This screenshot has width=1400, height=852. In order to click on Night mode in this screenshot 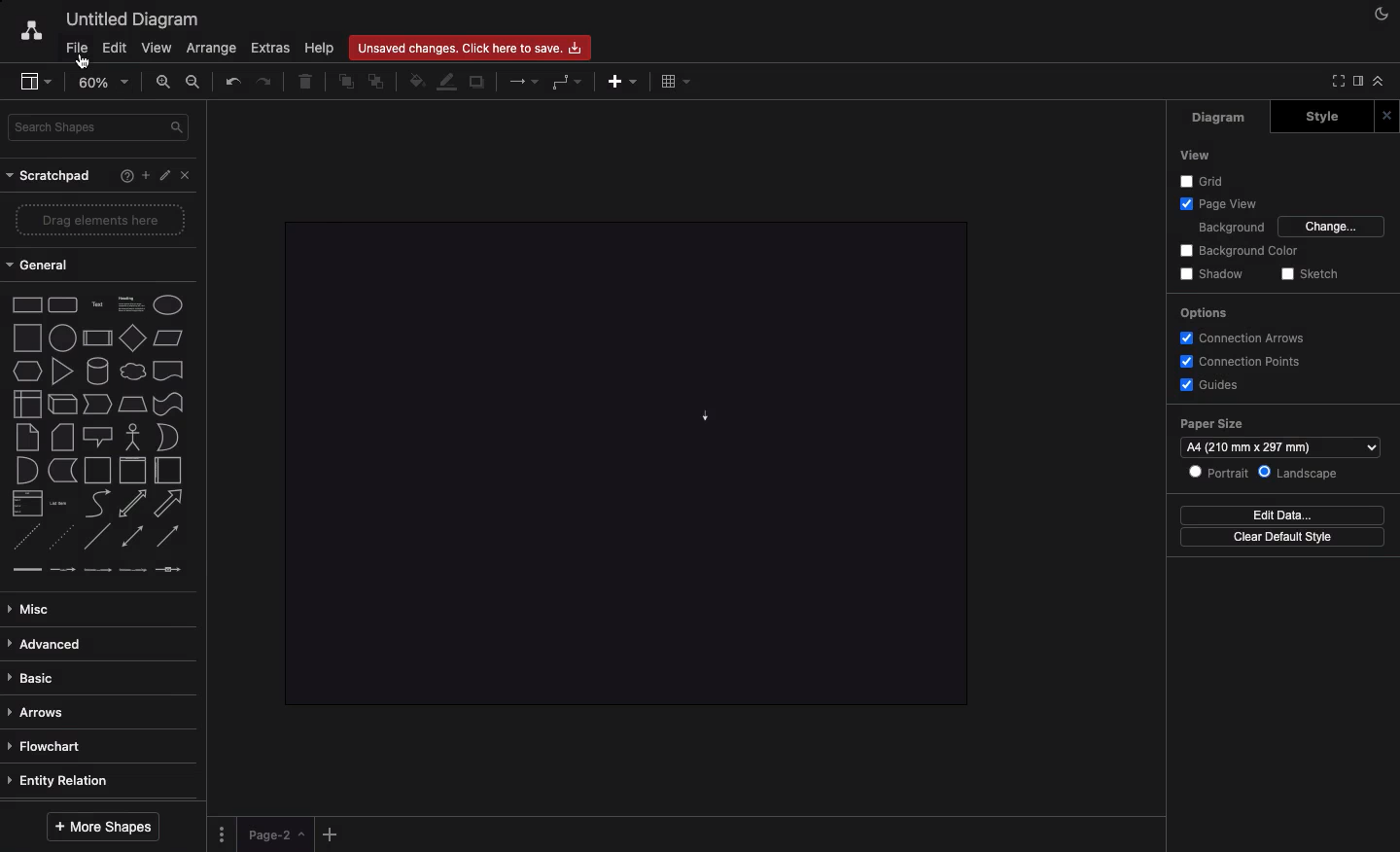, I will do `click(1382, 15)`.